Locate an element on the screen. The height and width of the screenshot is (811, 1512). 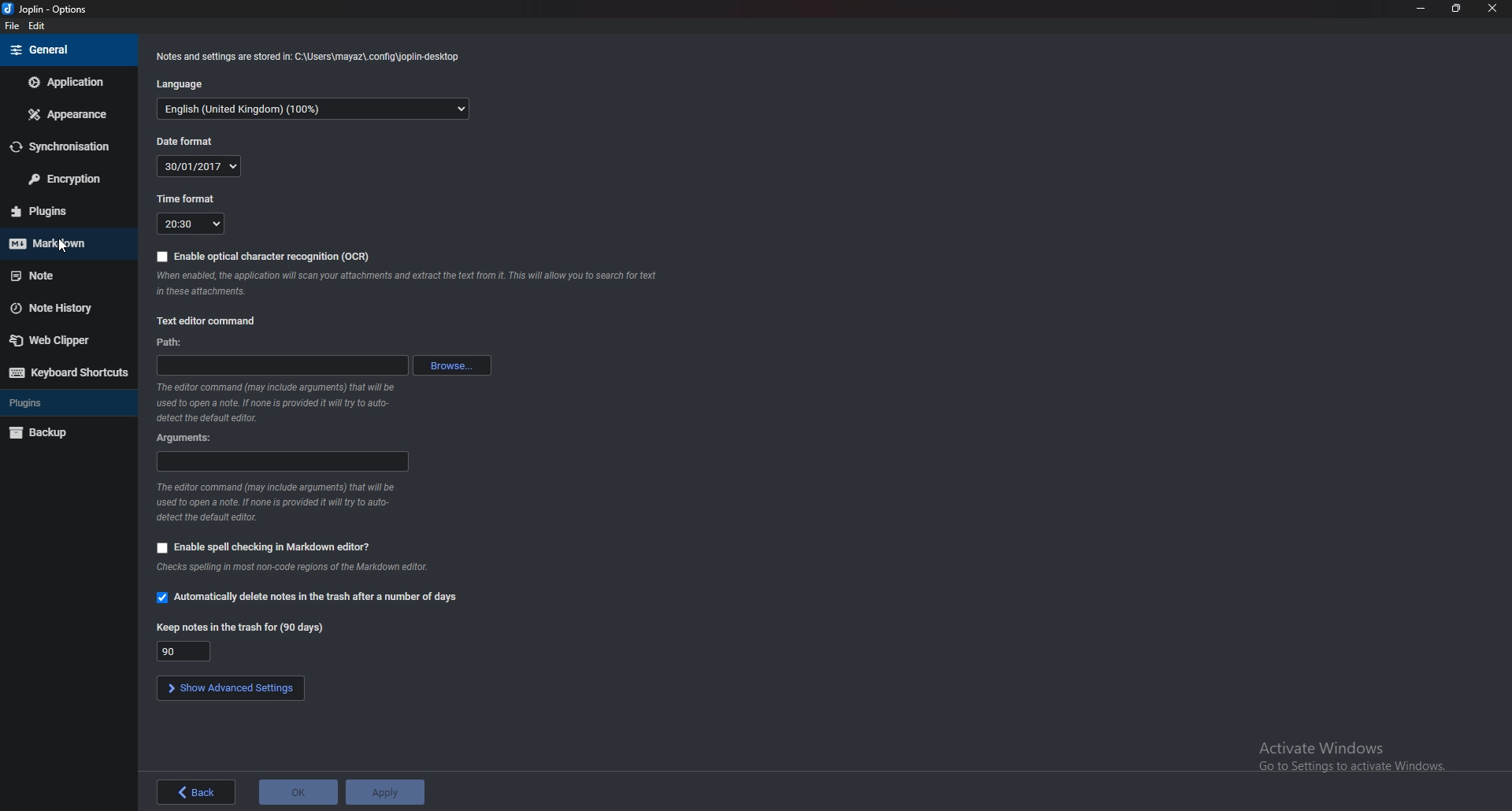
Plugins is located at coordinates (63, 210).